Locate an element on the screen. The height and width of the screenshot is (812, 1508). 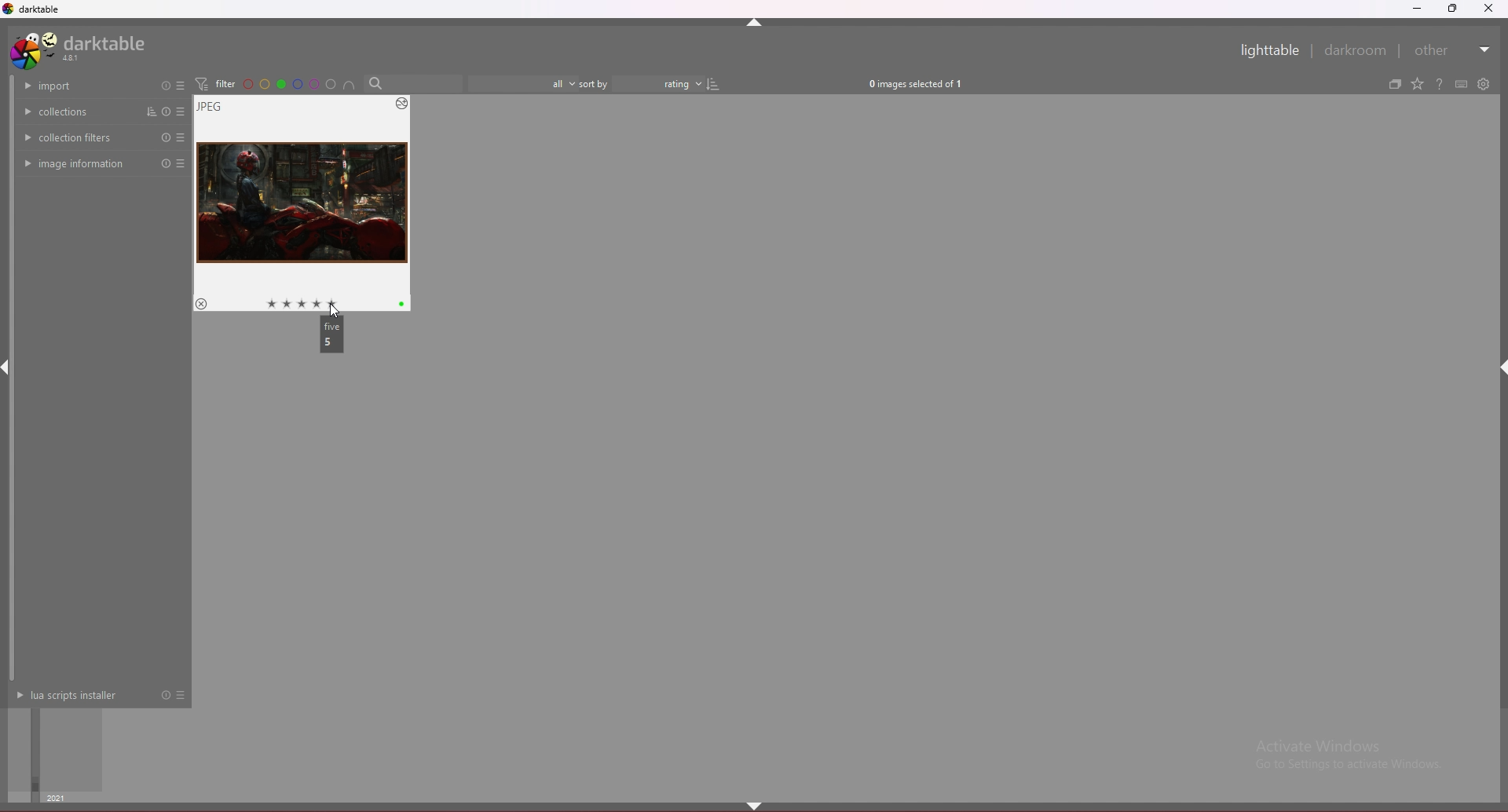
close is located at coordinates (1489, 8).